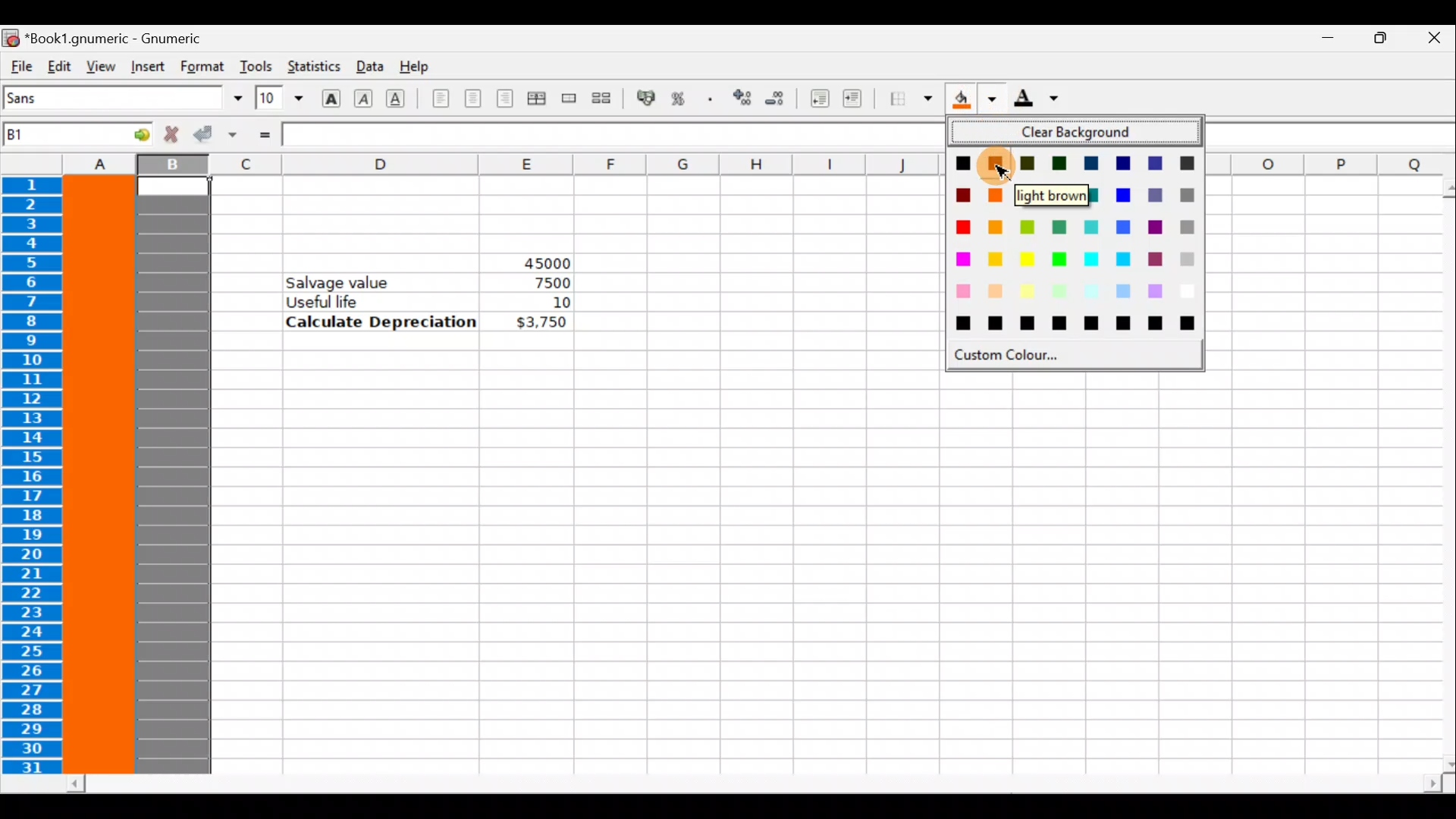 The image size is (1456, 819). Describe the element at coordinates (536, 101) in the screenshot. I see `Centre horizontally across selection` at that location.